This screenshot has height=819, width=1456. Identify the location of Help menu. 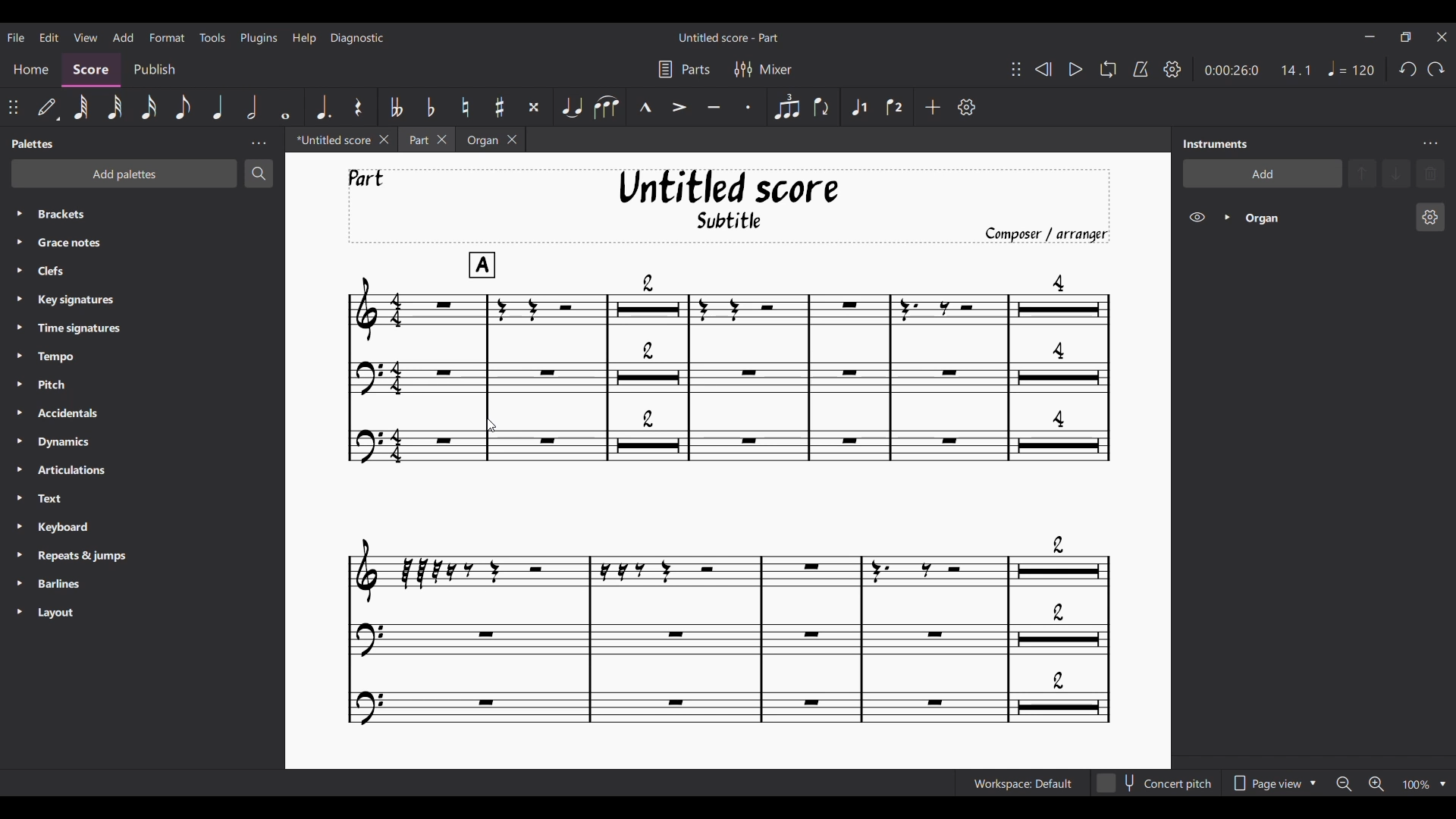
(304, 38).